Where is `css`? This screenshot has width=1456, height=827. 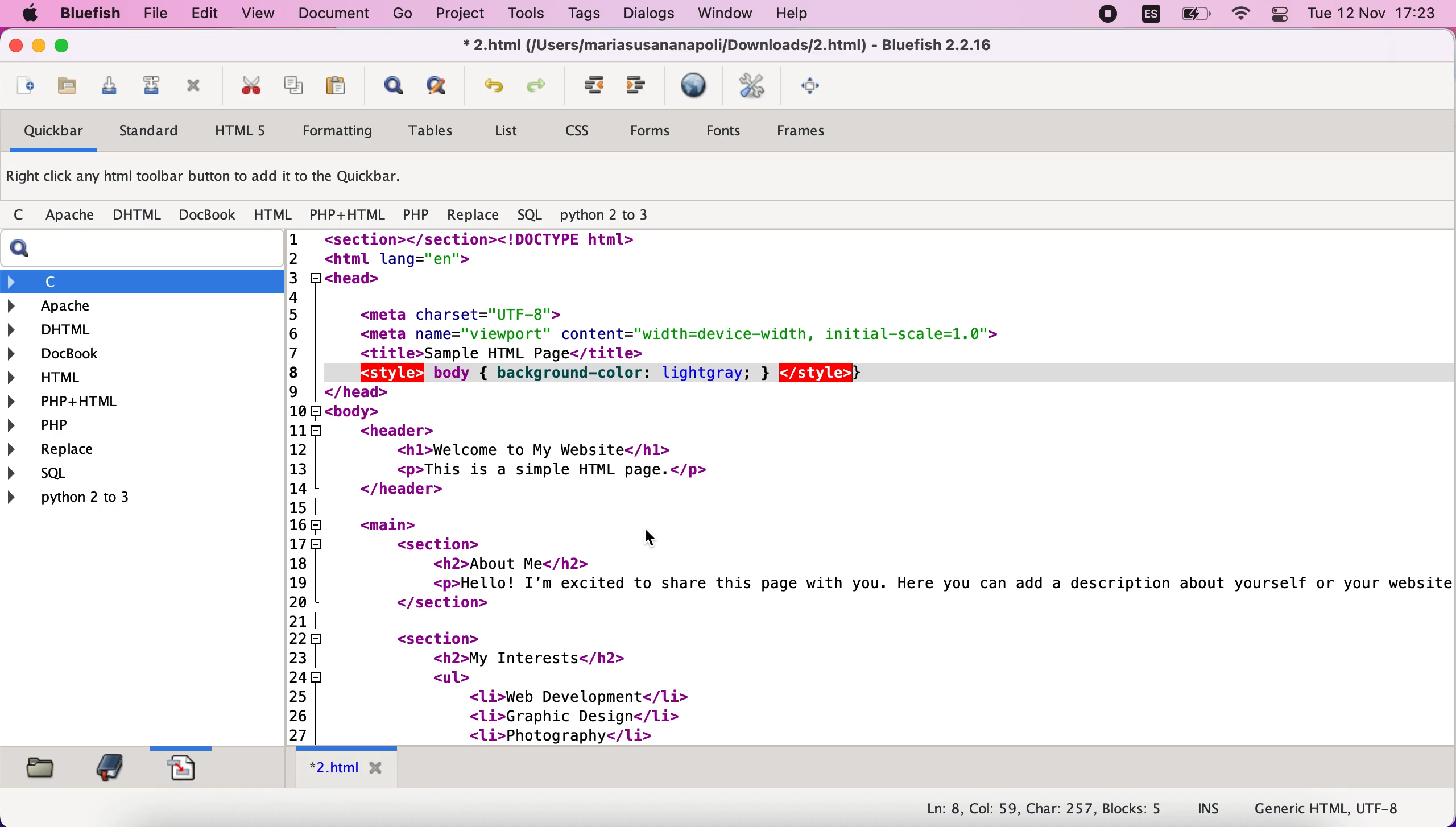
css is located at coordinates (585, 129).